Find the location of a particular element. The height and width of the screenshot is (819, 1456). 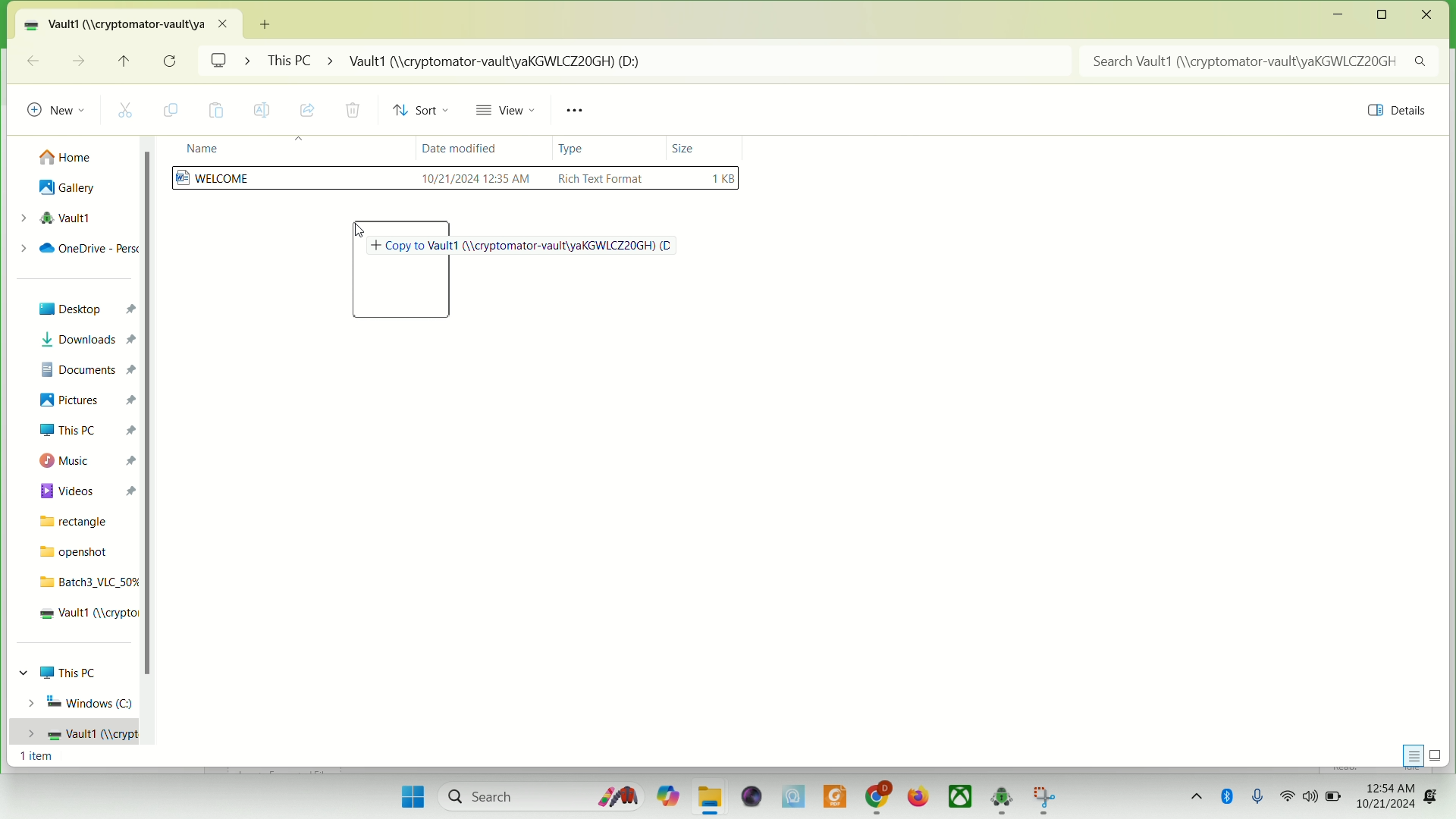

folder is located at coordinates (711, 798).